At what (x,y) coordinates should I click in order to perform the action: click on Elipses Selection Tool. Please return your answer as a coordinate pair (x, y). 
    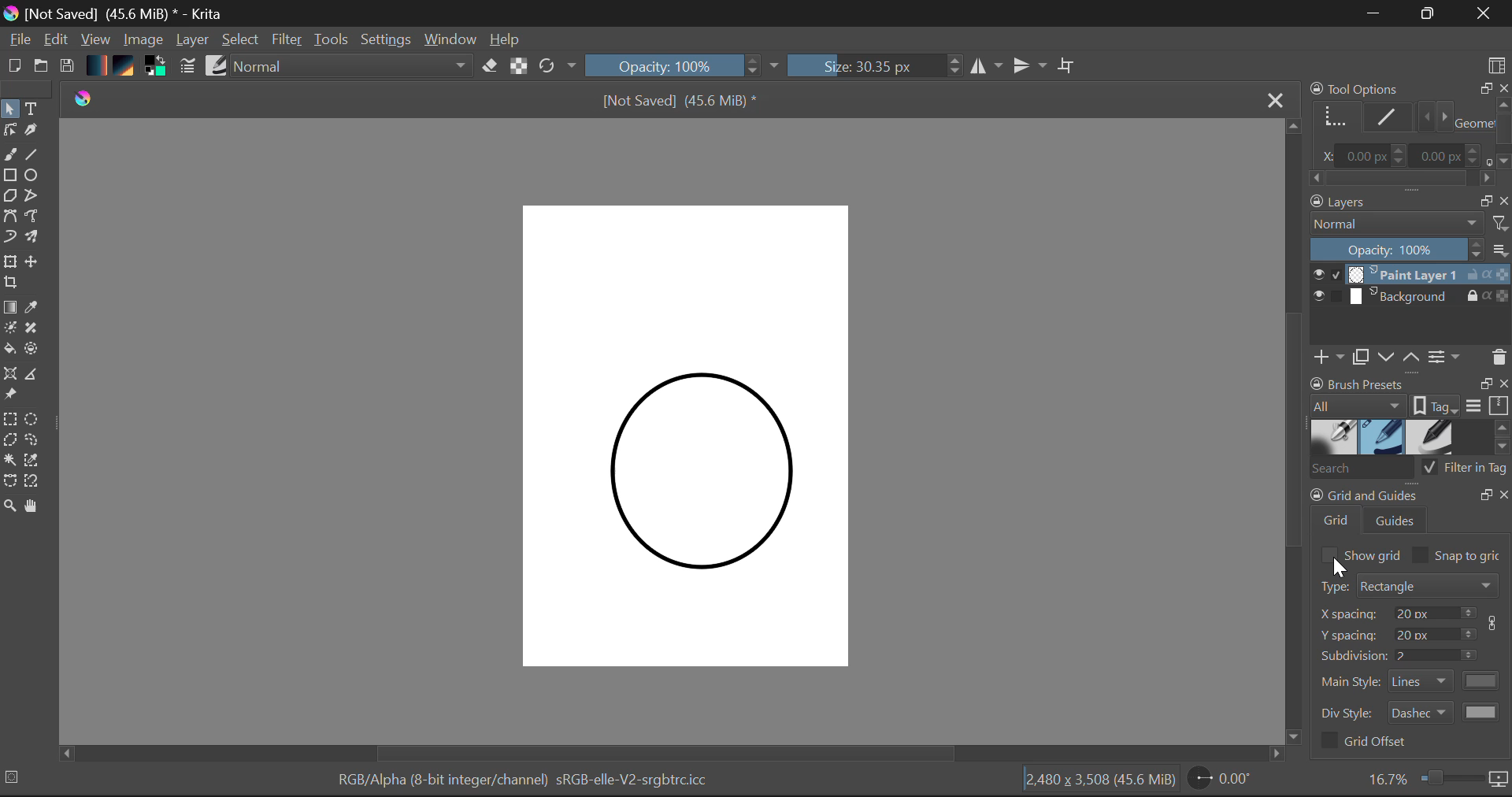
    Looking at the image, I should click on (34, 418).